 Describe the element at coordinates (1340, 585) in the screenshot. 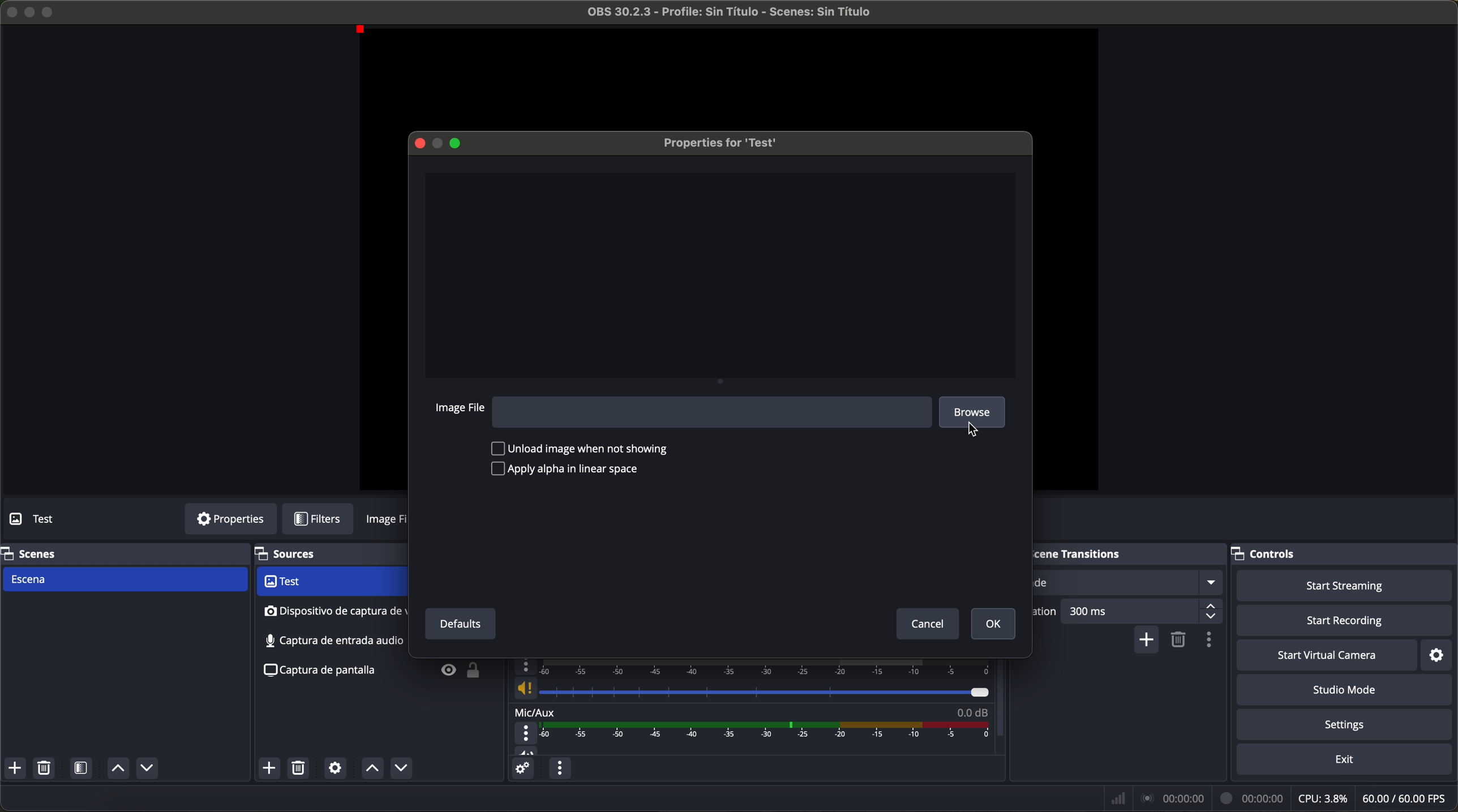

I see `start streaming` at that location.